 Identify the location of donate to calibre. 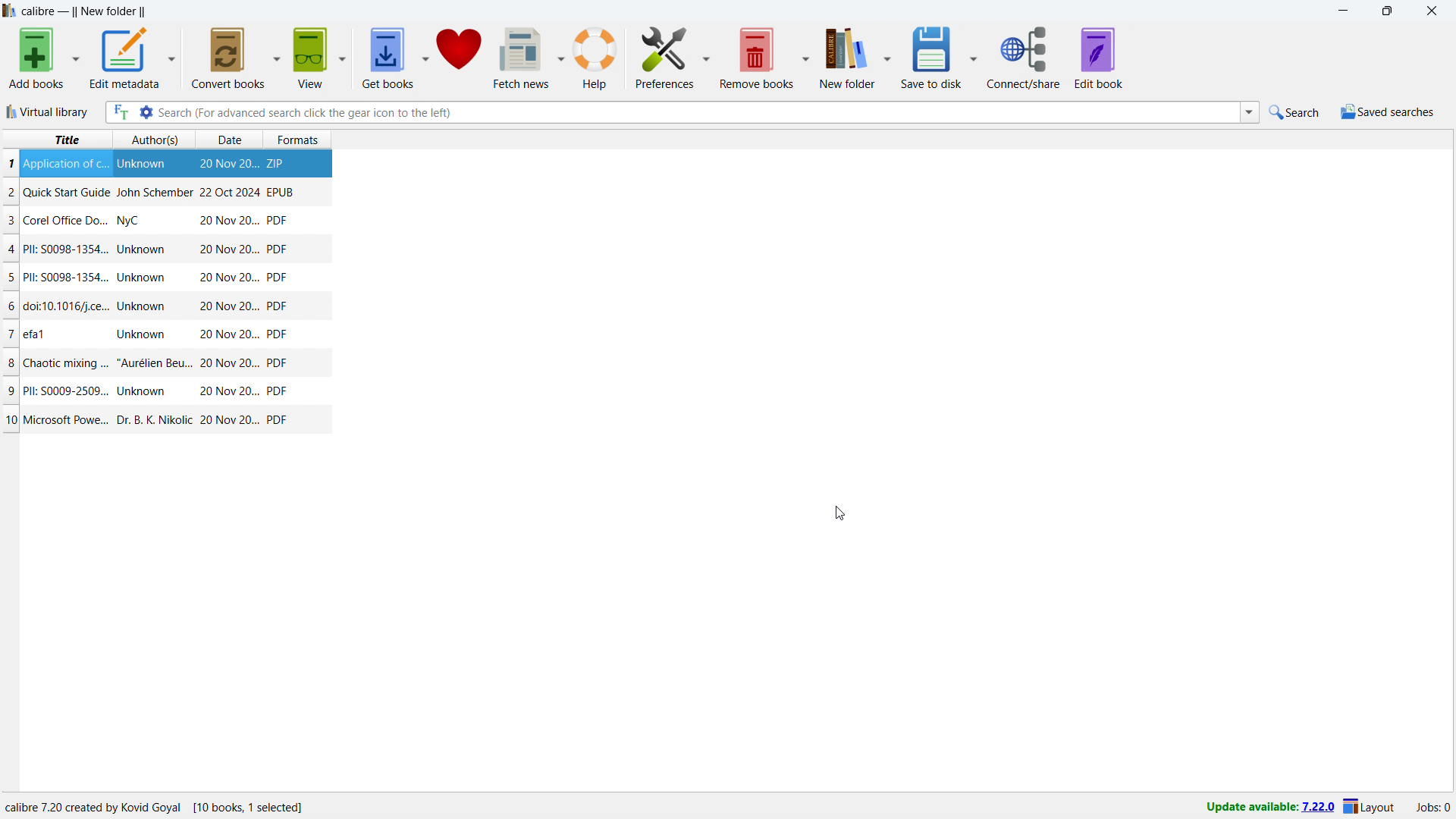
(460, 57).